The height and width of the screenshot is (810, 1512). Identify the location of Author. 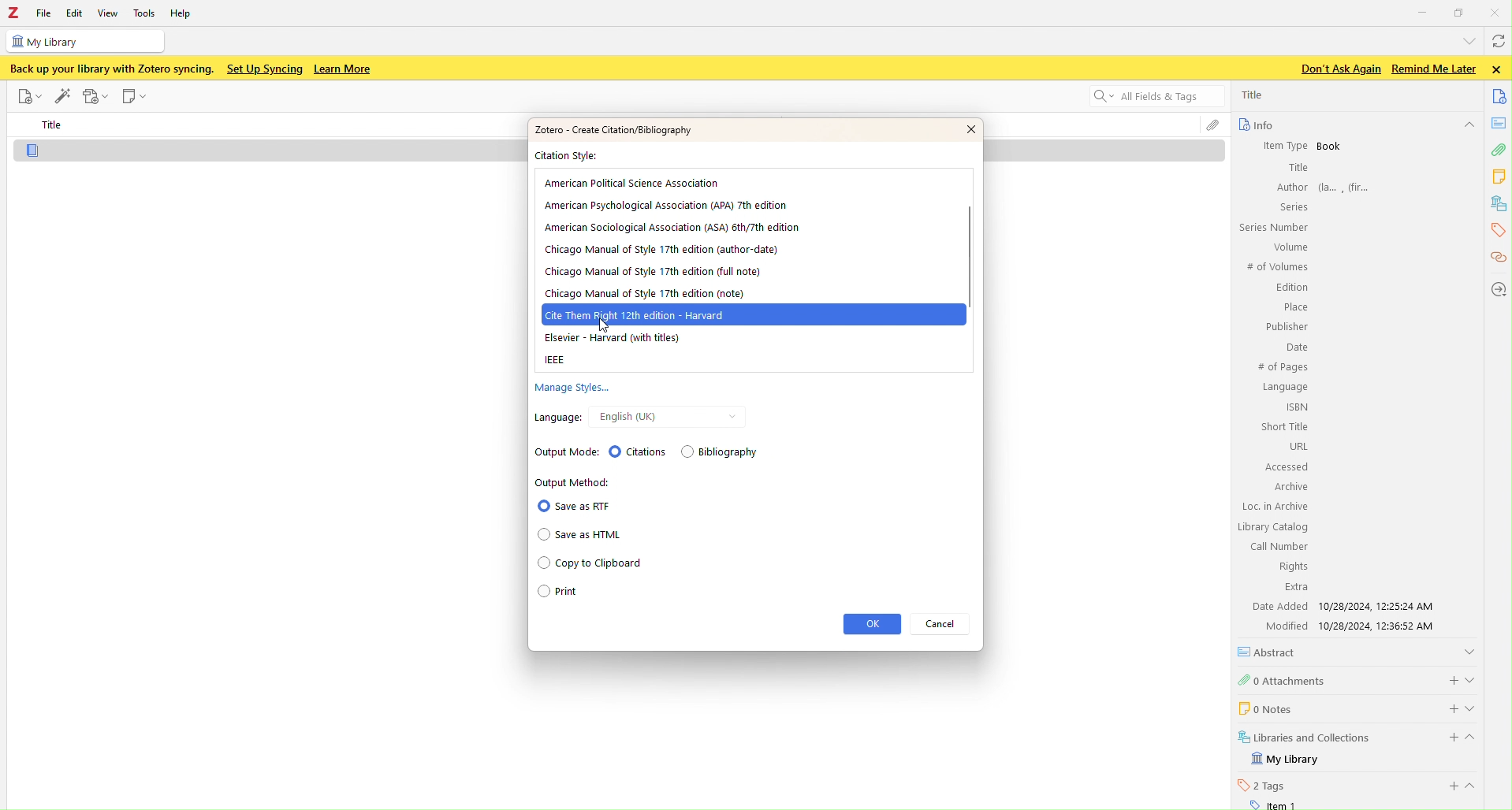
(1290, 187).